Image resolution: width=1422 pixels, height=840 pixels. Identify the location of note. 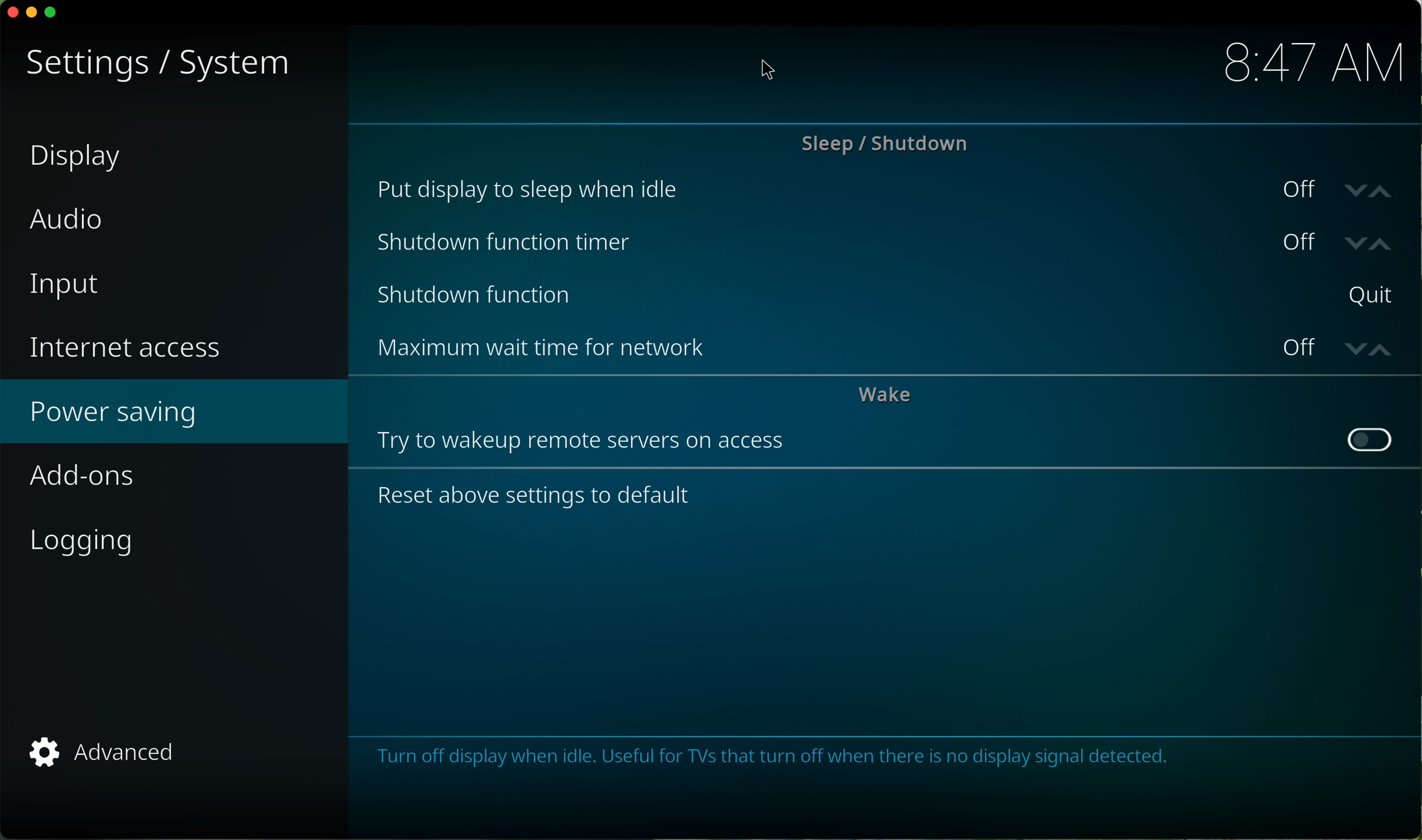
(778, 755).